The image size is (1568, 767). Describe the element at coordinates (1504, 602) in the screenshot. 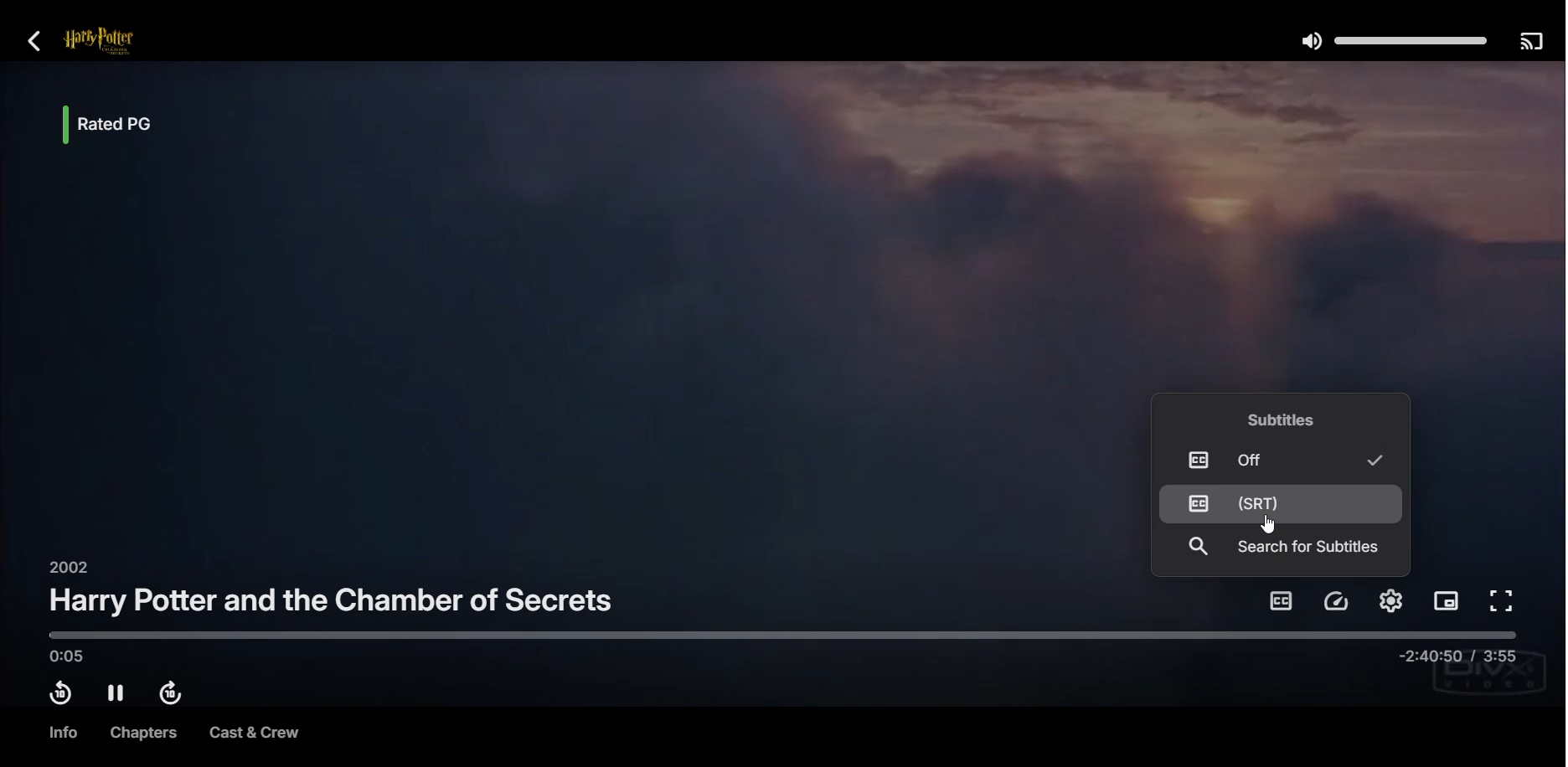

I see `Fullscreen` at that location.